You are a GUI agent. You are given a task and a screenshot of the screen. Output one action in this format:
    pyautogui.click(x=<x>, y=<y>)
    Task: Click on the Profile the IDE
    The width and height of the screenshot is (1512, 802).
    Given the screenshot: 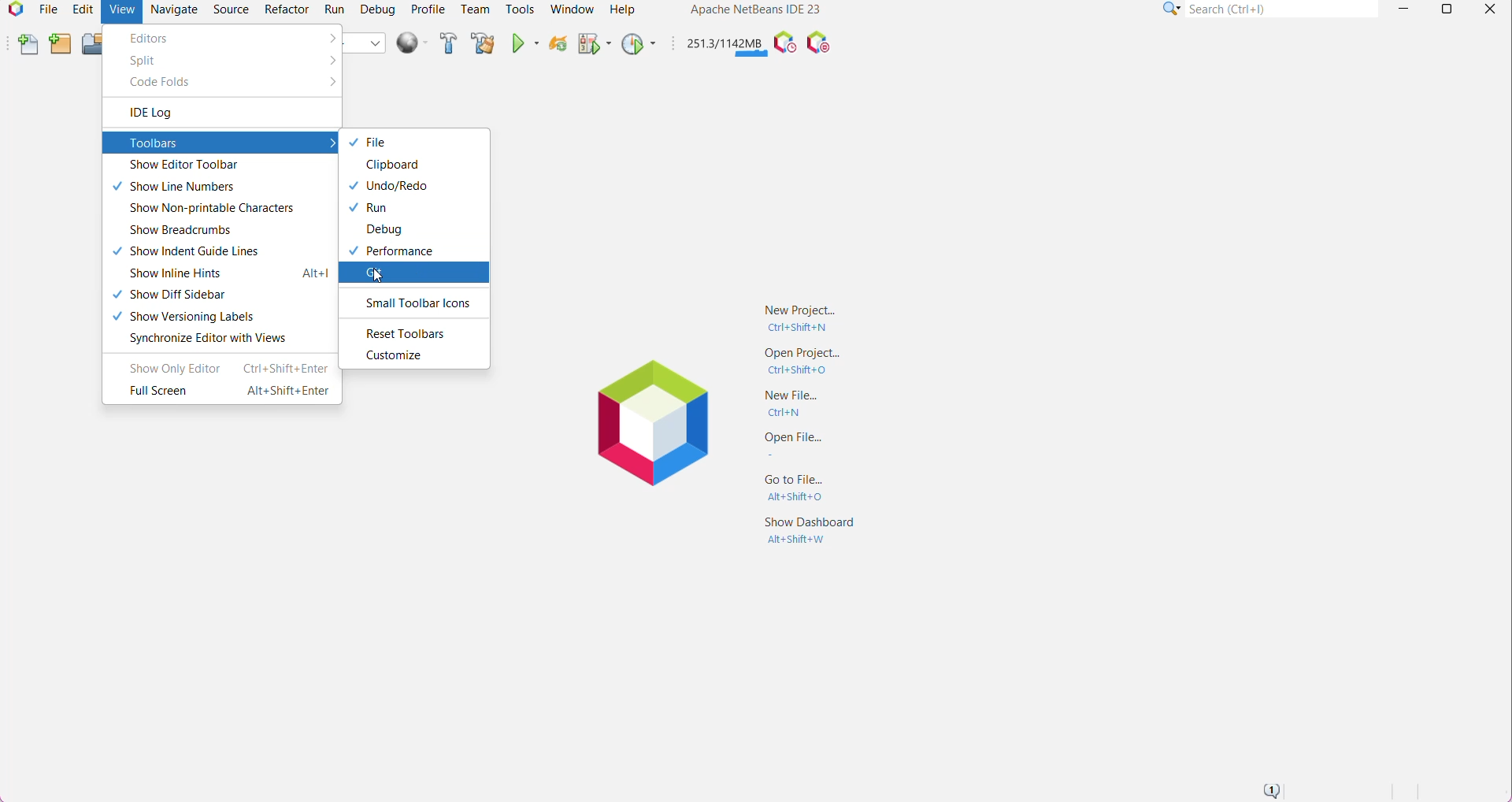 What is the action you would take?
    pyautogui.click(x=784, y=43)
    